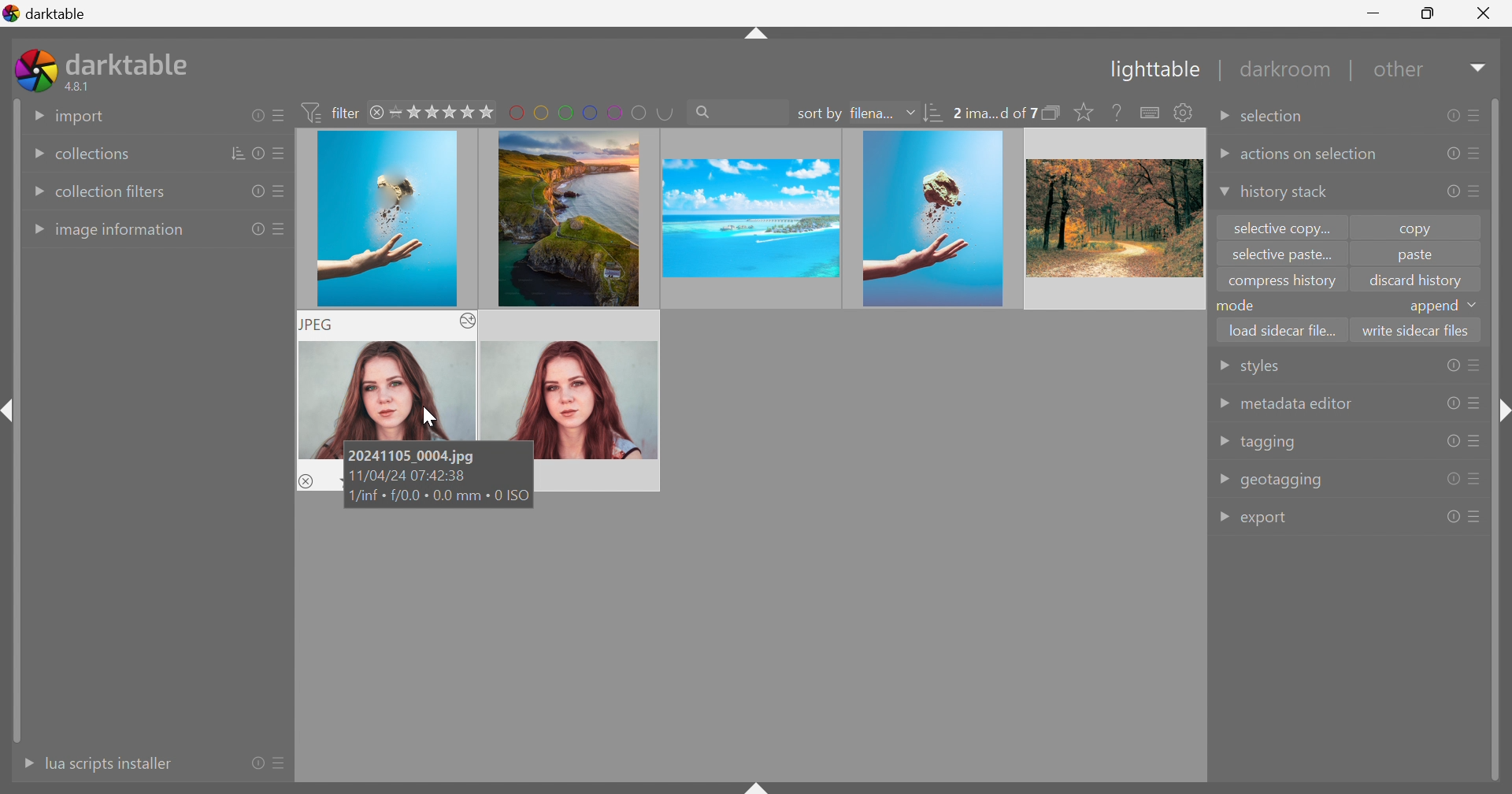 The height and width of the screenshot is (794, 1512). Describe the element at coordinates (870, 114) in the screenshot. I see `filena...` at that location.